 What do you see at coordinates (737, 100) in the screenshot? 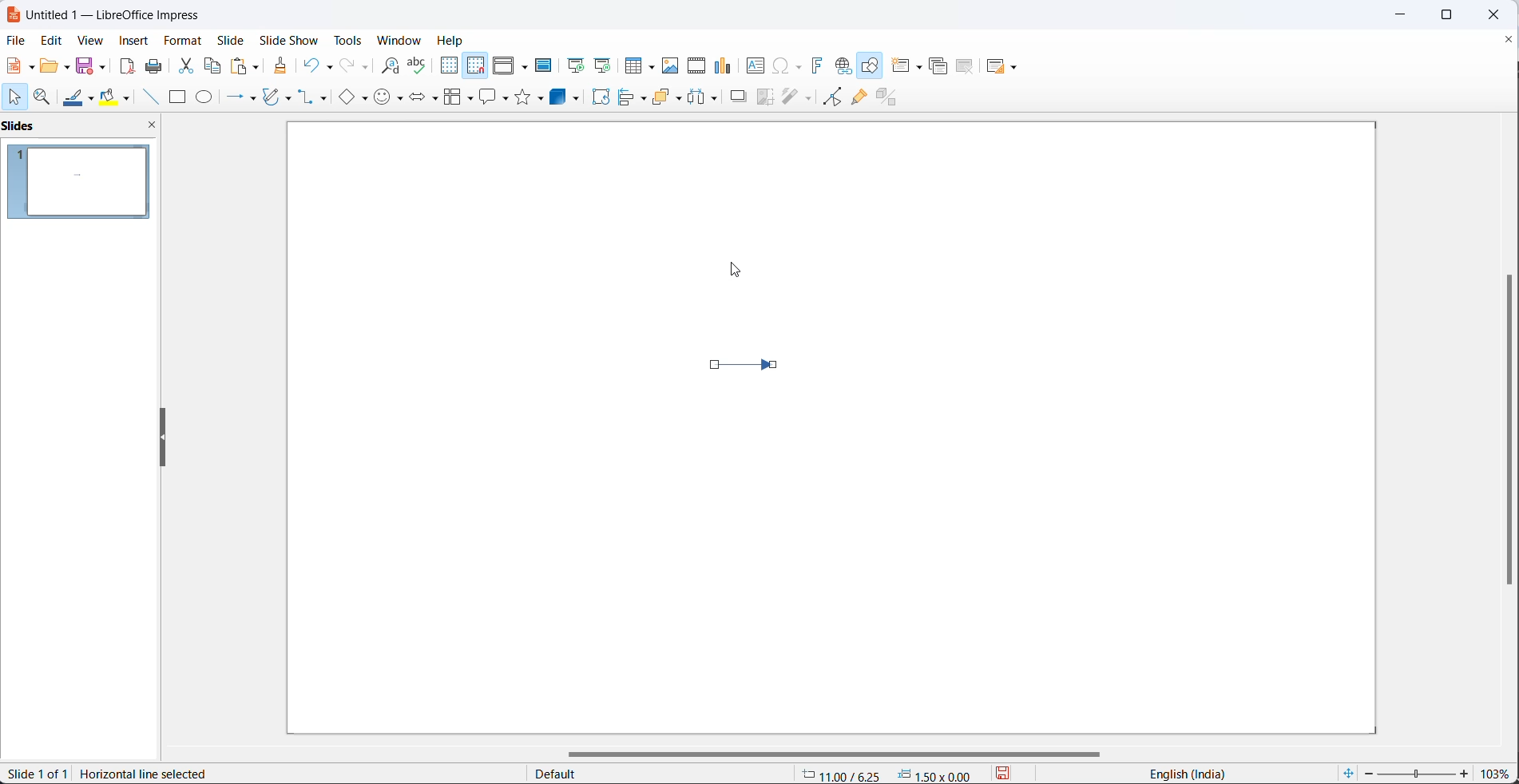
I see `shadow` at bounding box center [737, 100].